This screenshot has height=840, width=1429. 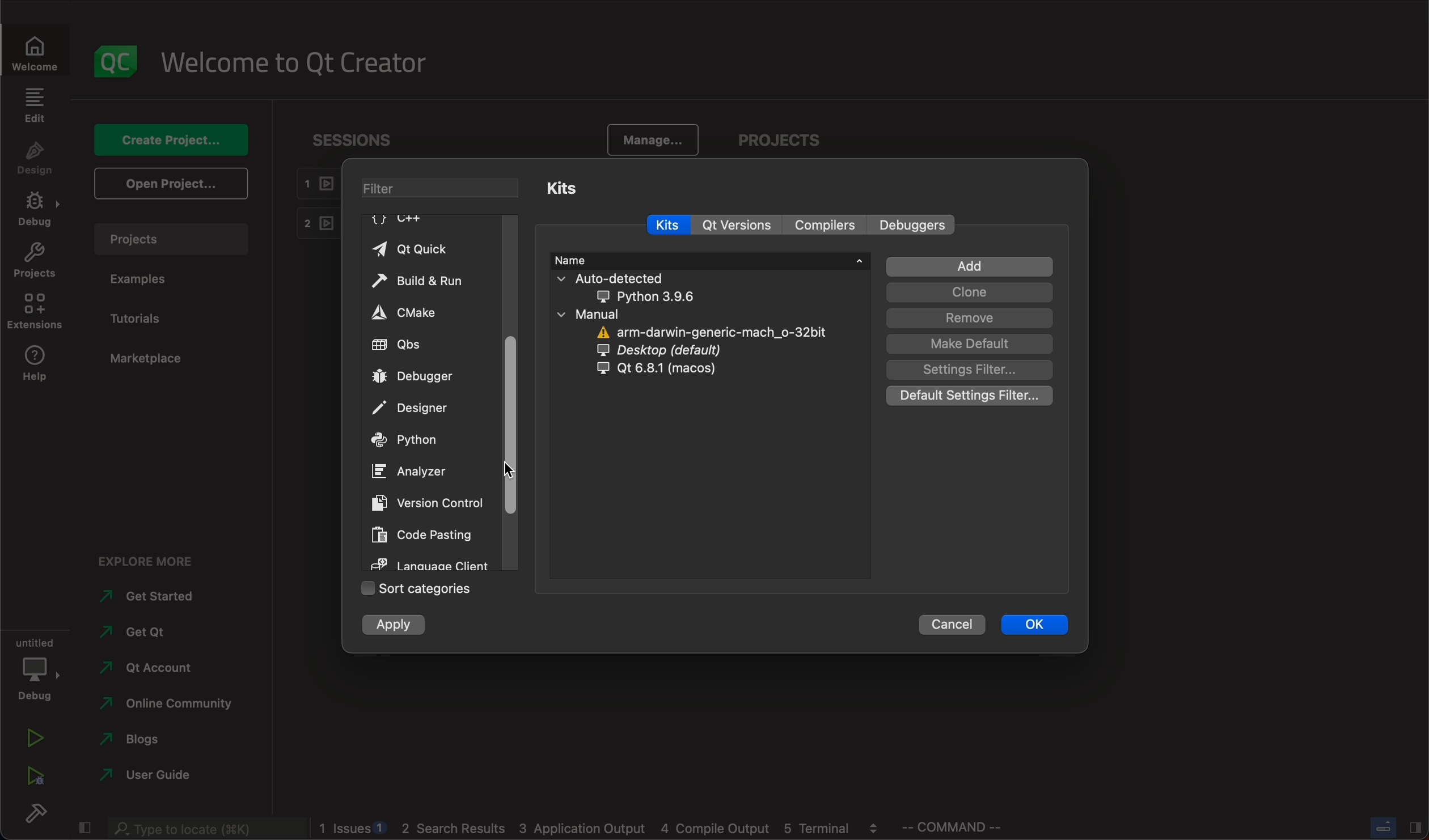 I want to click on projects, so click(x=33, y=261).